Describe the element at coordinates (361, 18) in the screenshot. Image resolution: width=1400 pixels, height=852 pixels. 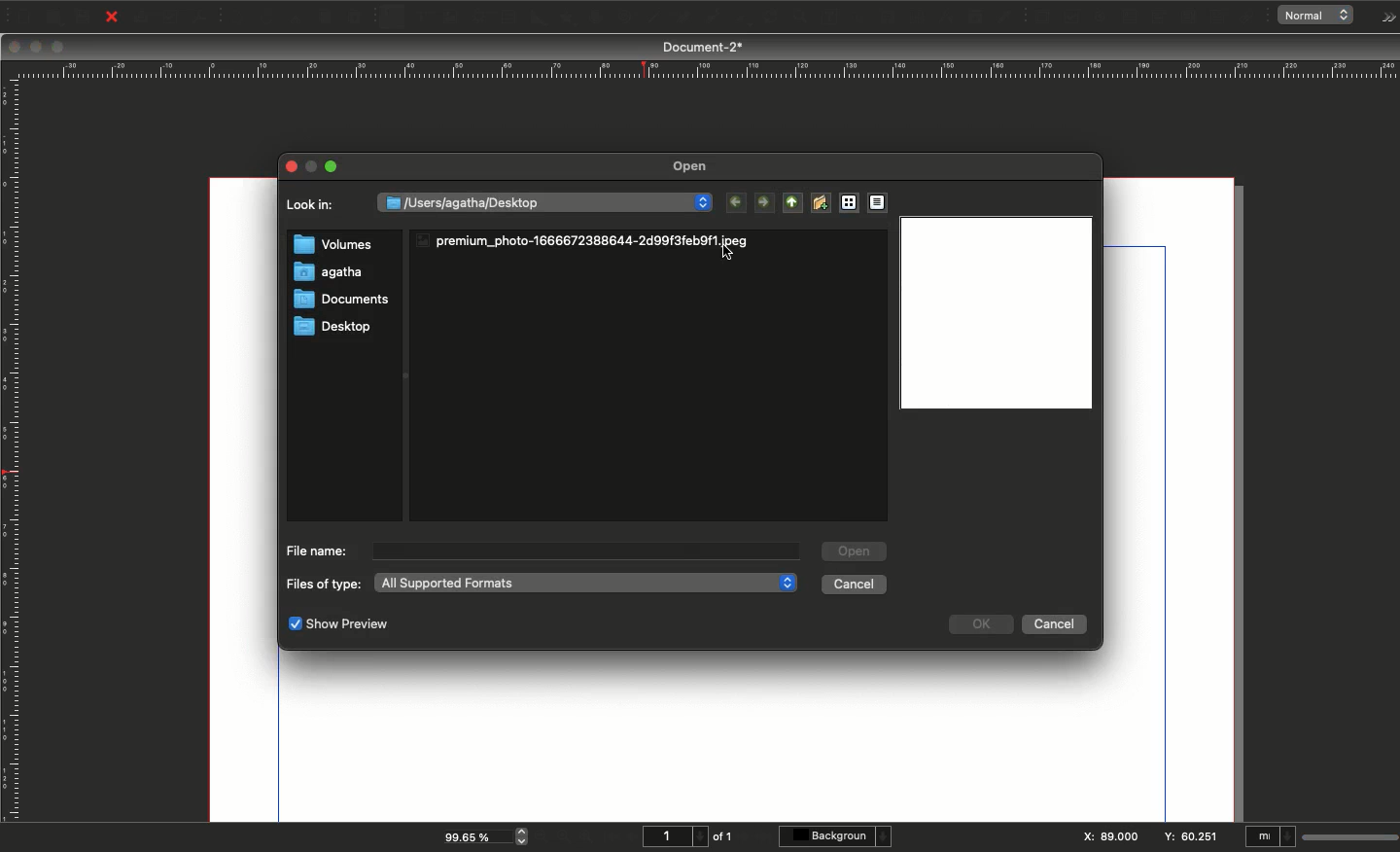
I see `Paste` at that location.